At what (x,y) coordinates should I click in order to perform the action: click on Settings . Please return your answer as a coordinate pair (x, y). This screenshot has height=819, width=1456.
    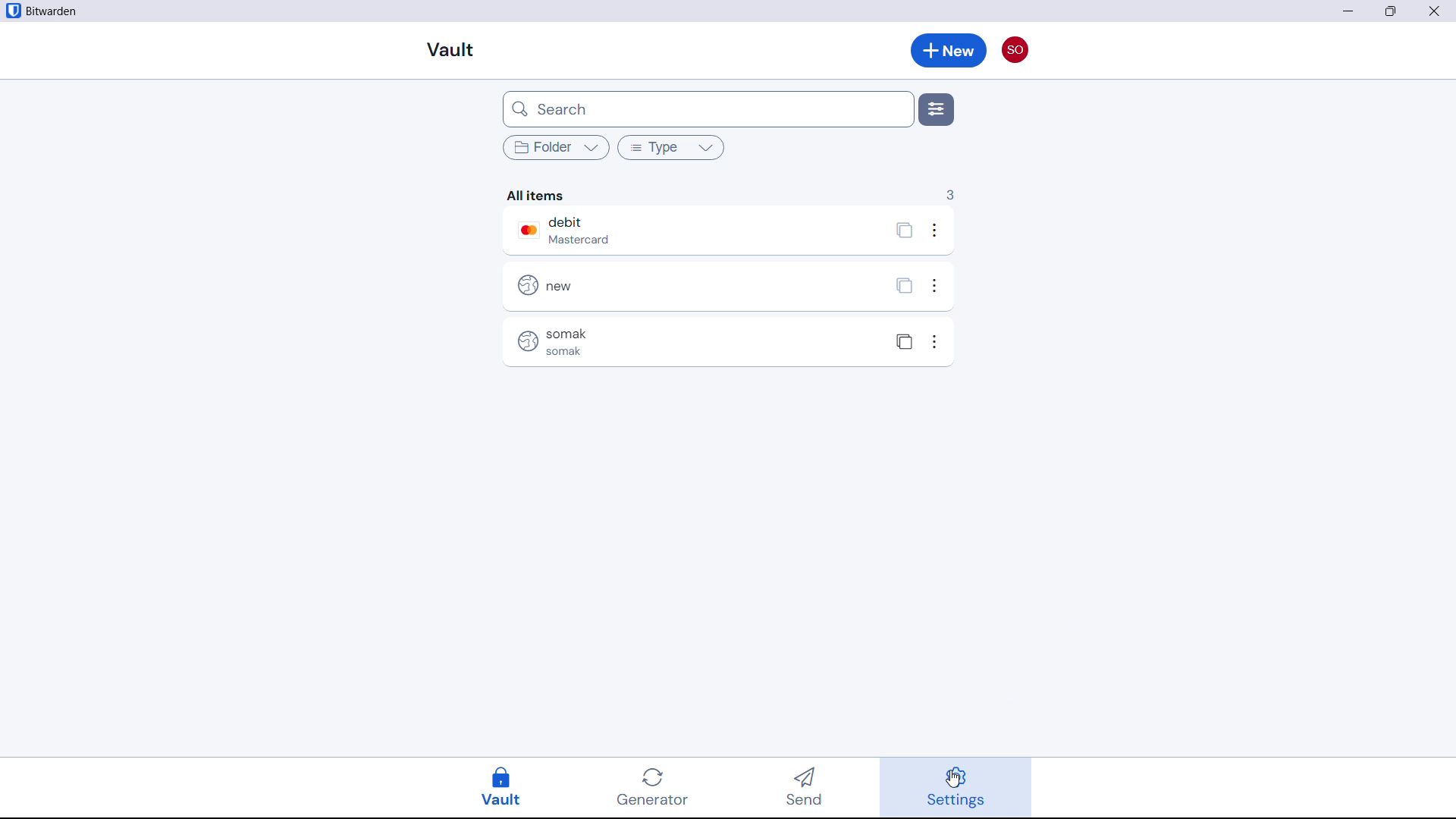
    Looking at the image, I should click on (955, 787).